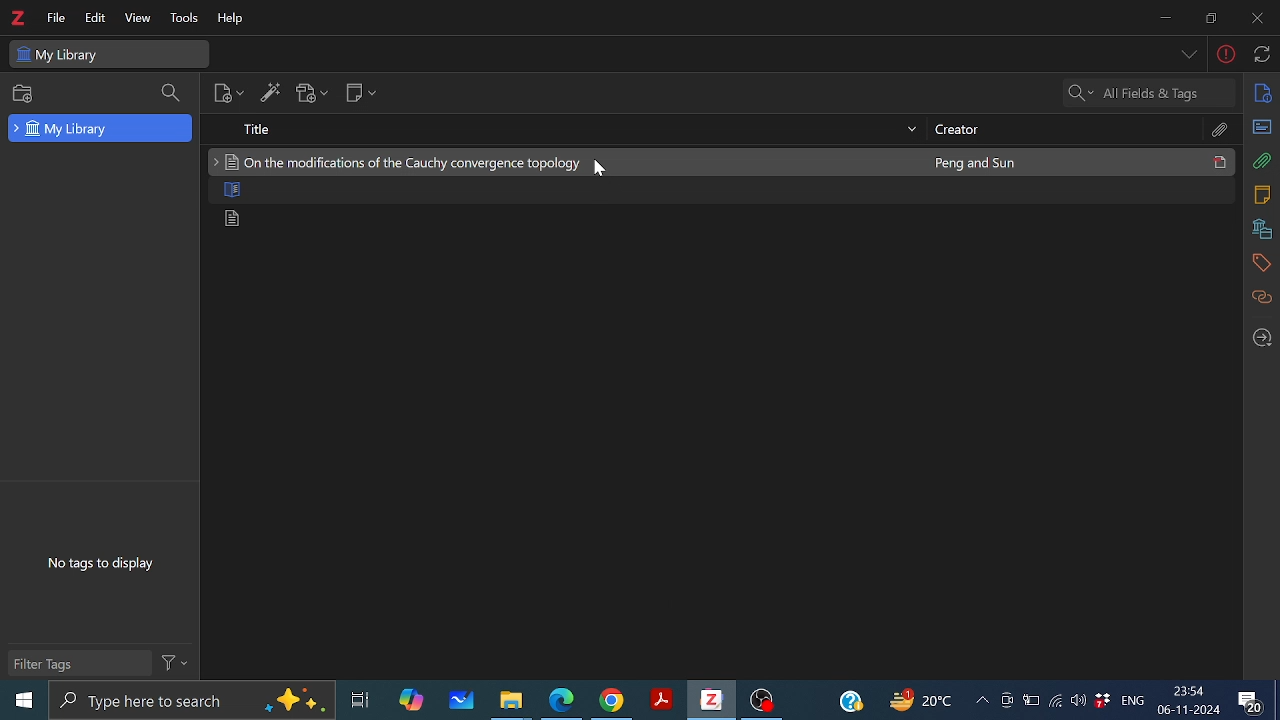  I want to click on Add note, so click(360, 95).